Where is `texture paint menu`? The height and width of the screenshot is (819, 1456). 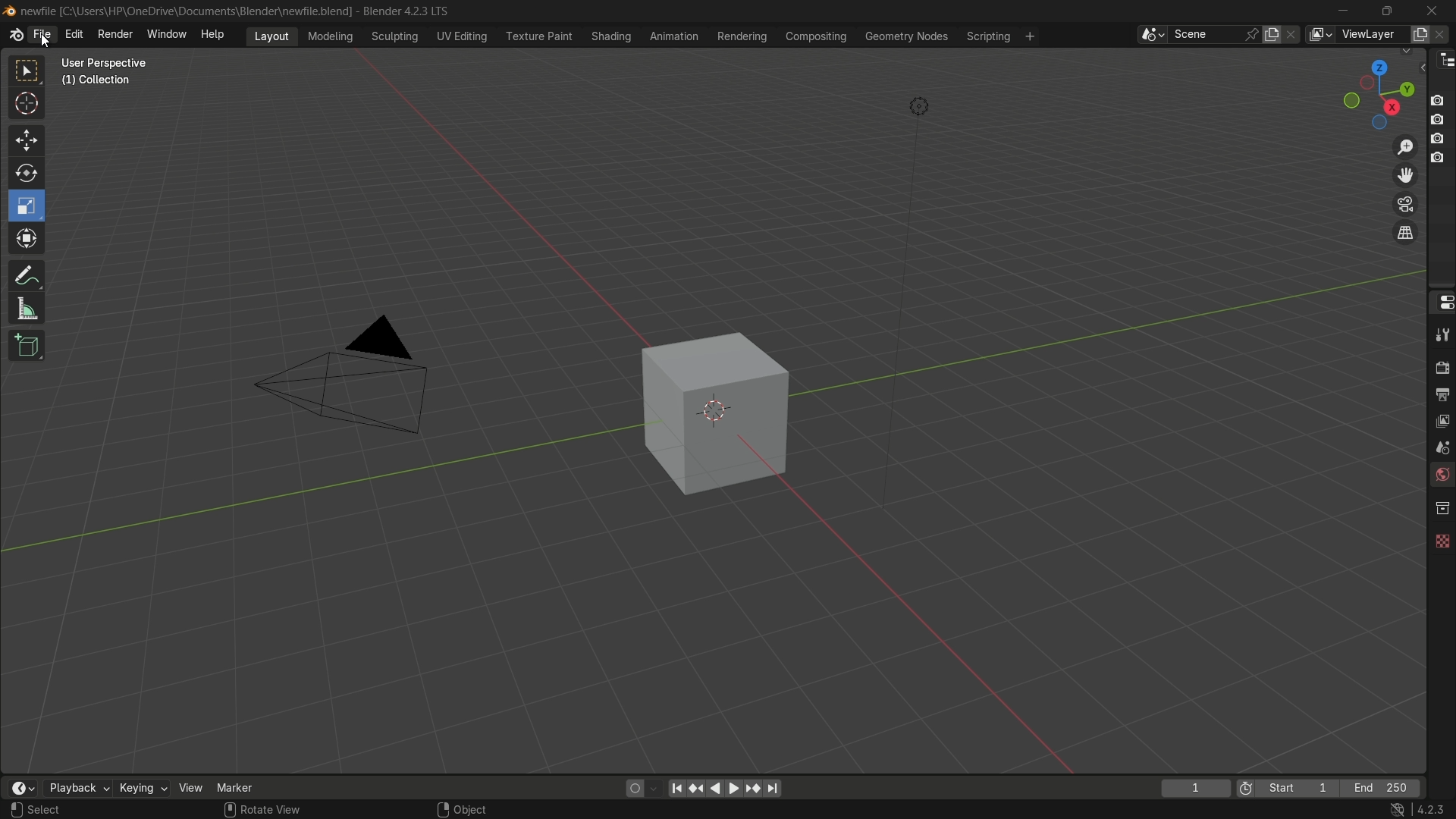
texture paint menu is located at coordinates (538, 35).